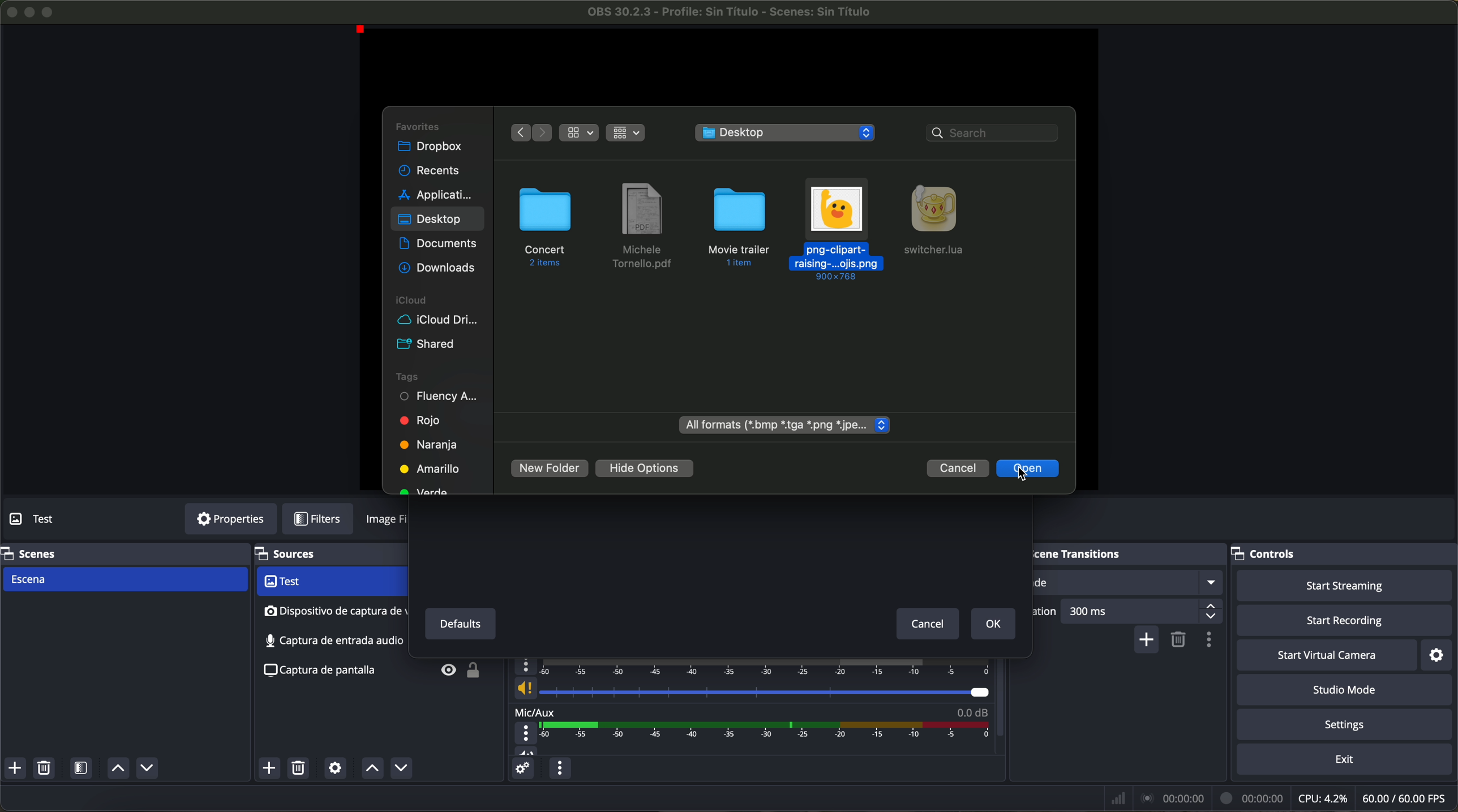 This screenshot has height=812, width=1458. Describe the element at coordinates (1345, 690) in the screenshot. I see `studio mode` at that location.